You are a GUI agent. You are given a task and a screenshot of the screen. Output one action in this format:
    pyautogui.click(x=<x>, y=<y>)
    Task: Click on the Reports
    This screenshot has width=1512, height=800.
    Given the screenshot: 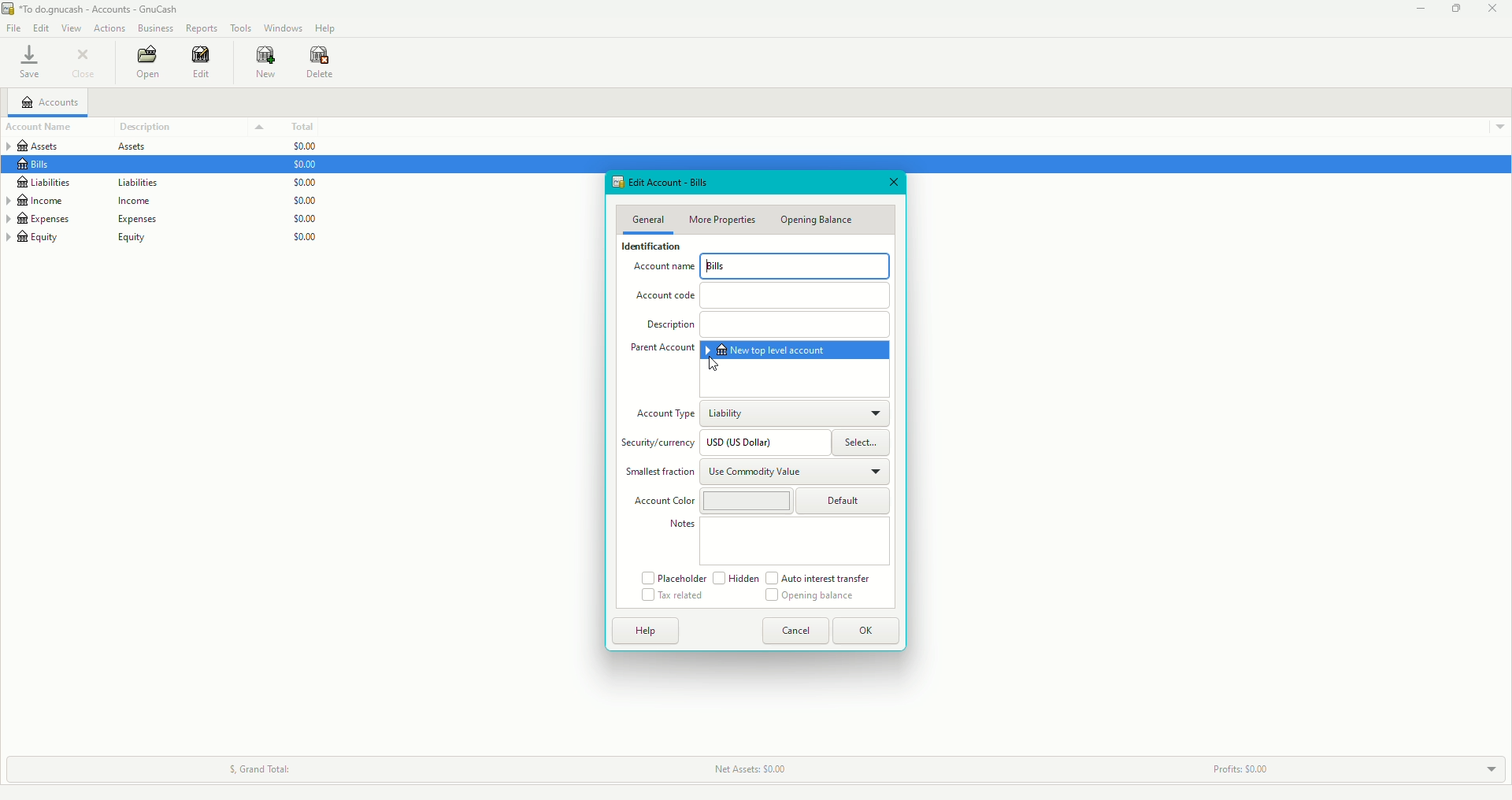 What is the action you would take?
    pyautogui.click(x=202, y=28)
    